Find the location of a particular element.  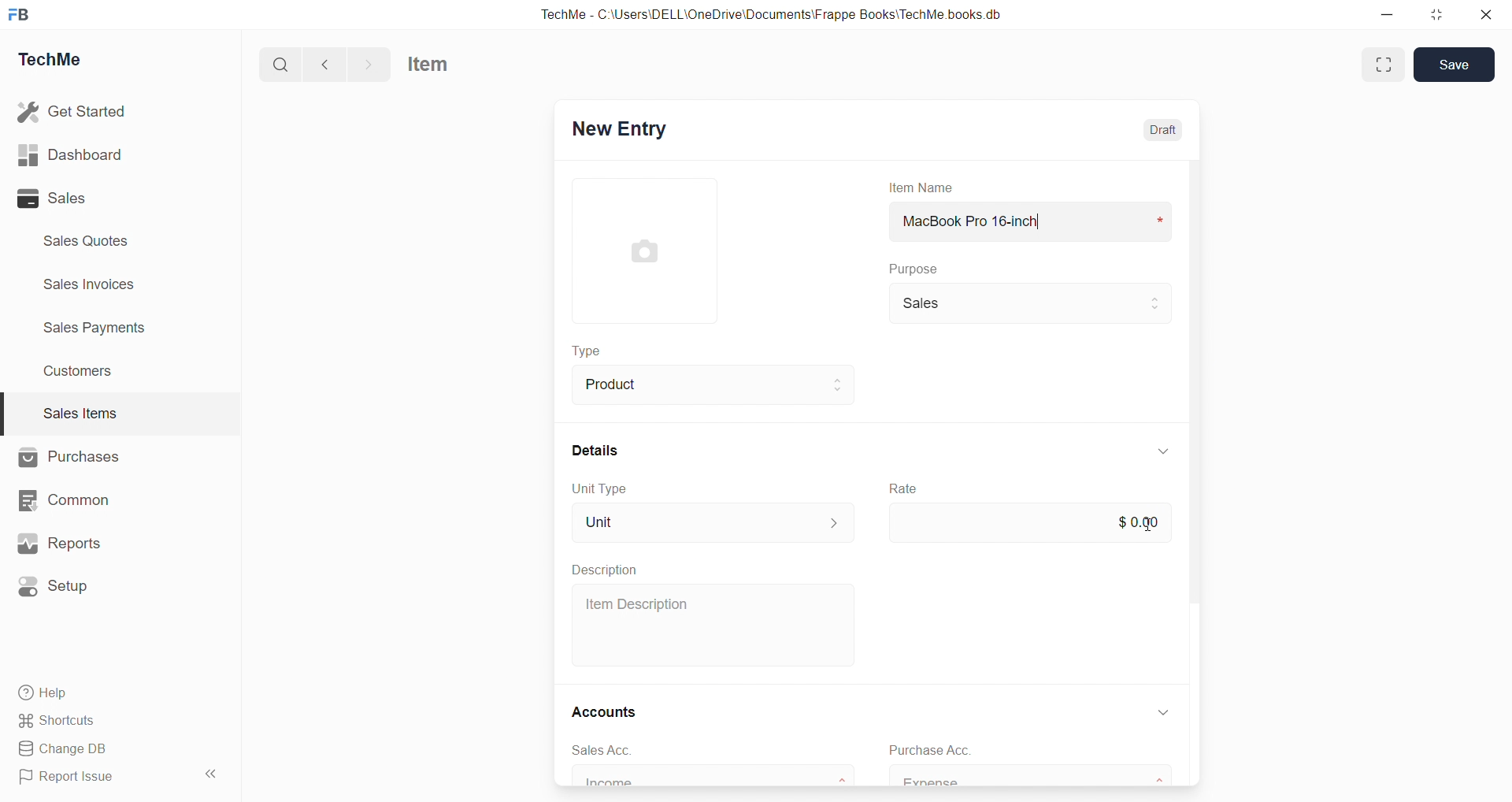

FB is located at coordinates (22, 14).